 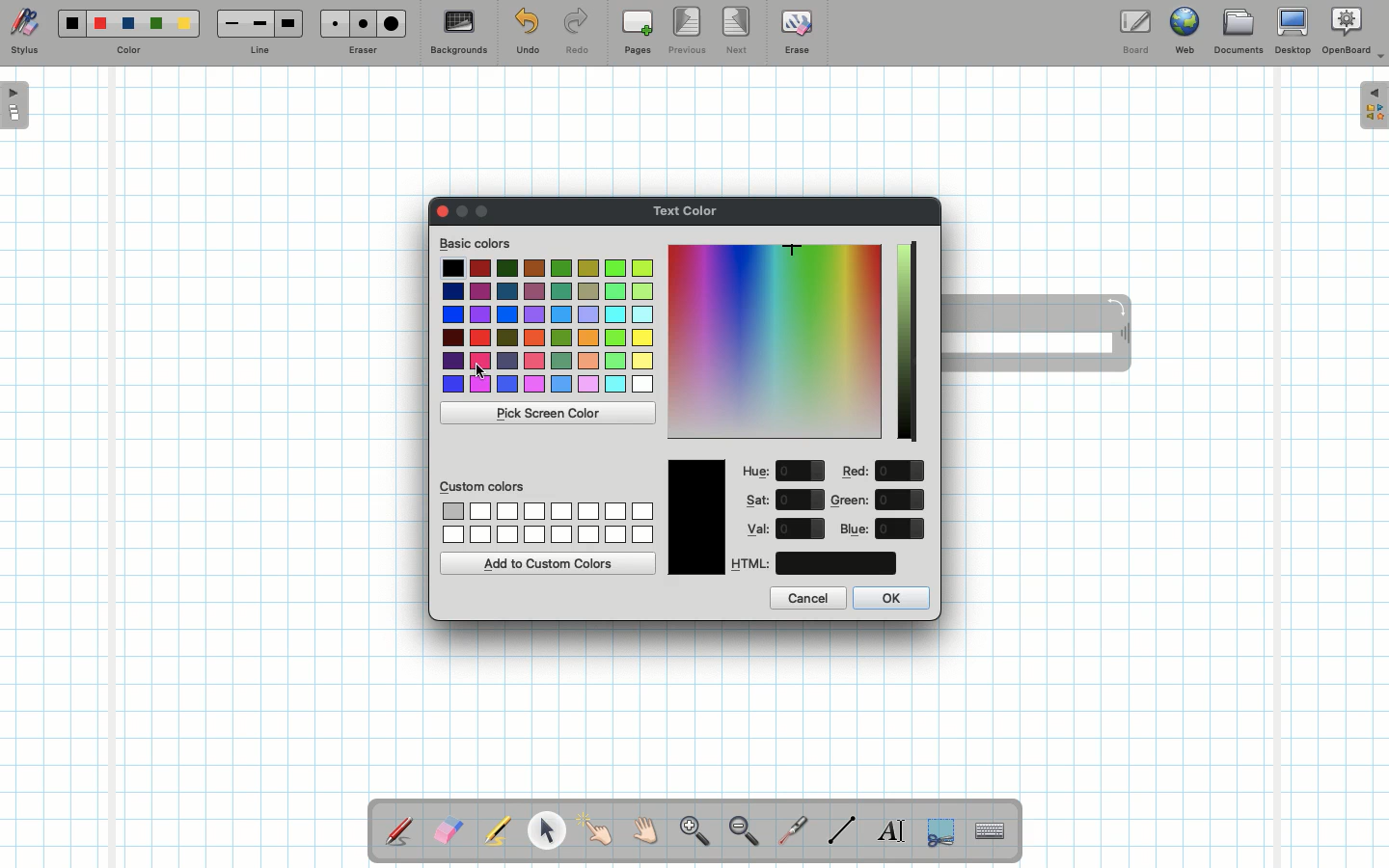 I want to click on Color picked, so click(x=695, y=517).